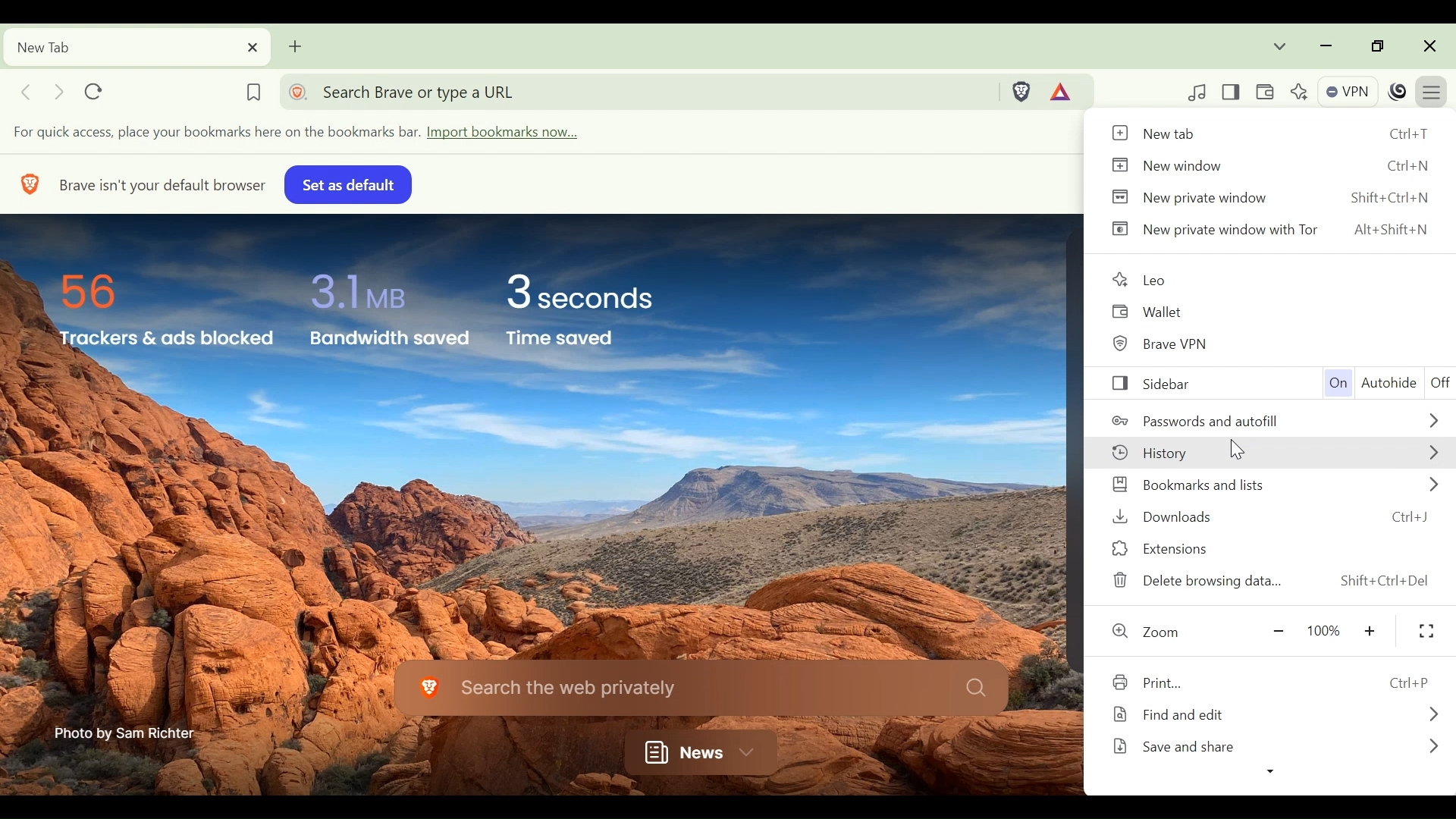  Describe the element at coordinates (162, 340) in the screenshot. I see `Trackers & ads Blocked` at that location.